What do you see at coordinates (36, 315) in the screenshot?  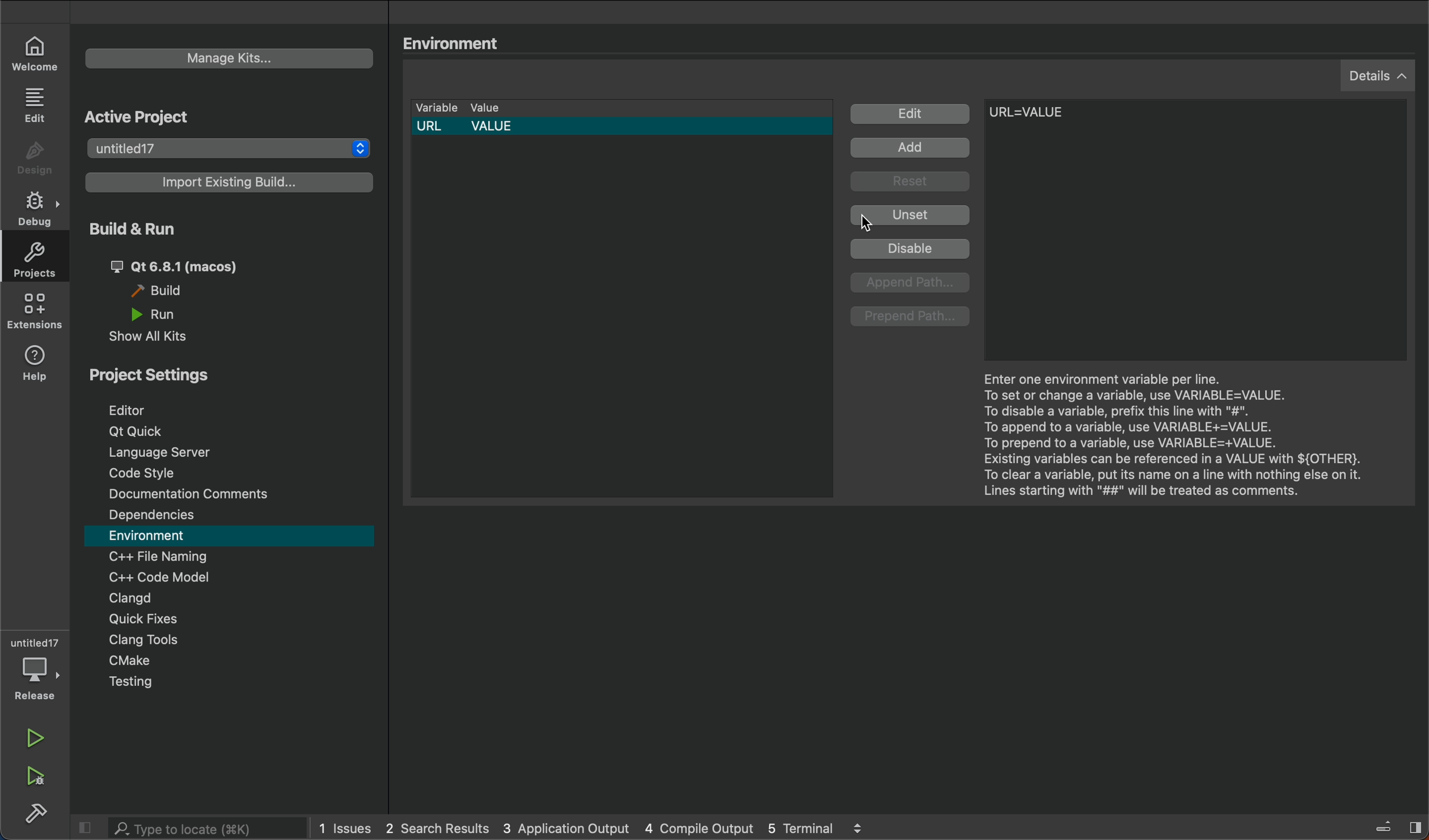 I see `extensions` at bounding box center [36, 315].